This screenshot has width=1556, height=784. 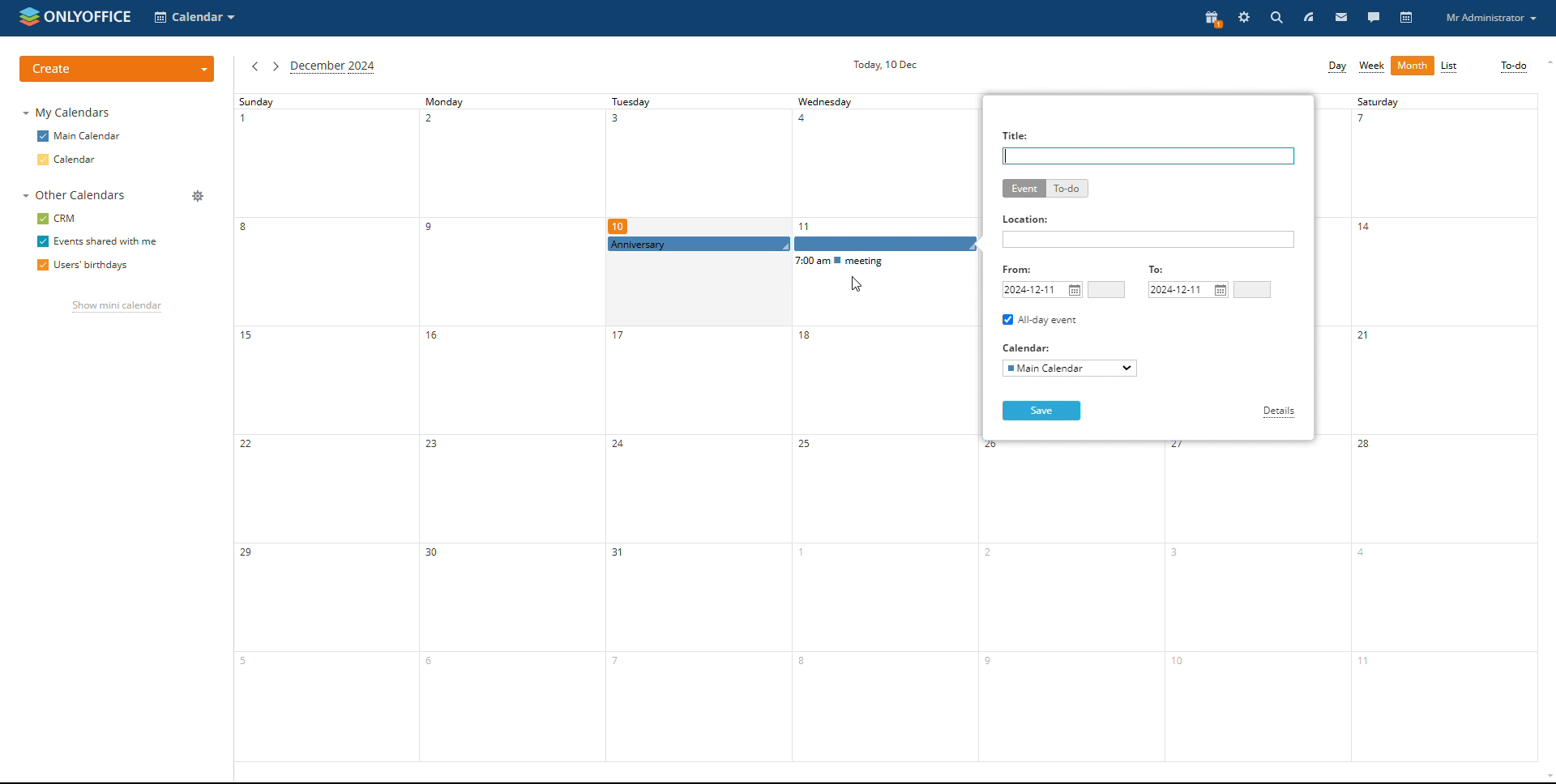 What do you see at coordinates (855, 285) in the screenshot?
I see `cursor` at bounding box center [855, 285].